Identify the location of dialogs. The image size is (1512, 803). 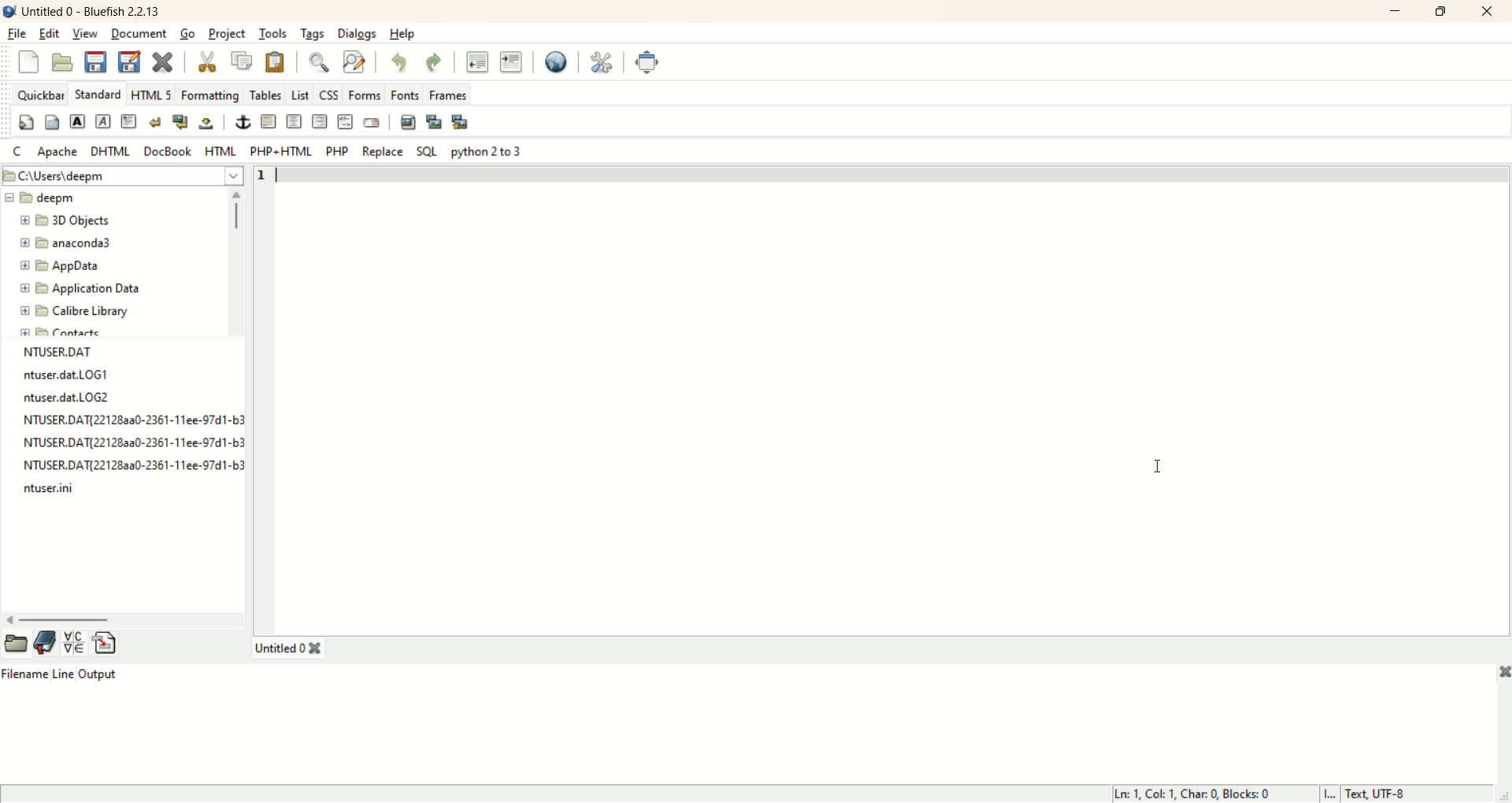
(354, 32).